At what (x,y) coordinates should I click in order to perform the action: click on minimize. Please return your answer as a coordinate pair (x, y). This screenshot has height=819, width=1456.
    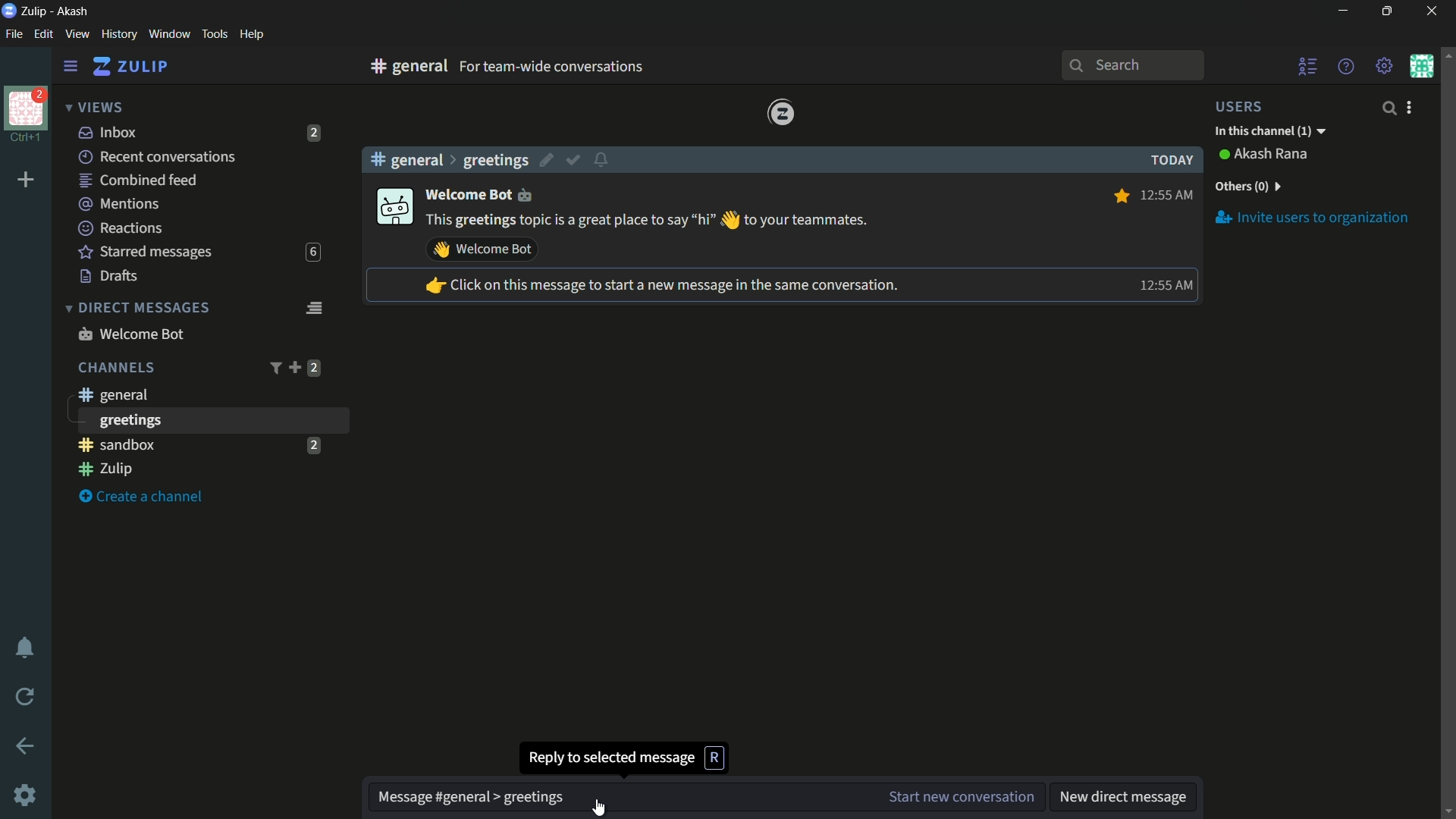
    Looking at the image, I should click on (1342, 11).